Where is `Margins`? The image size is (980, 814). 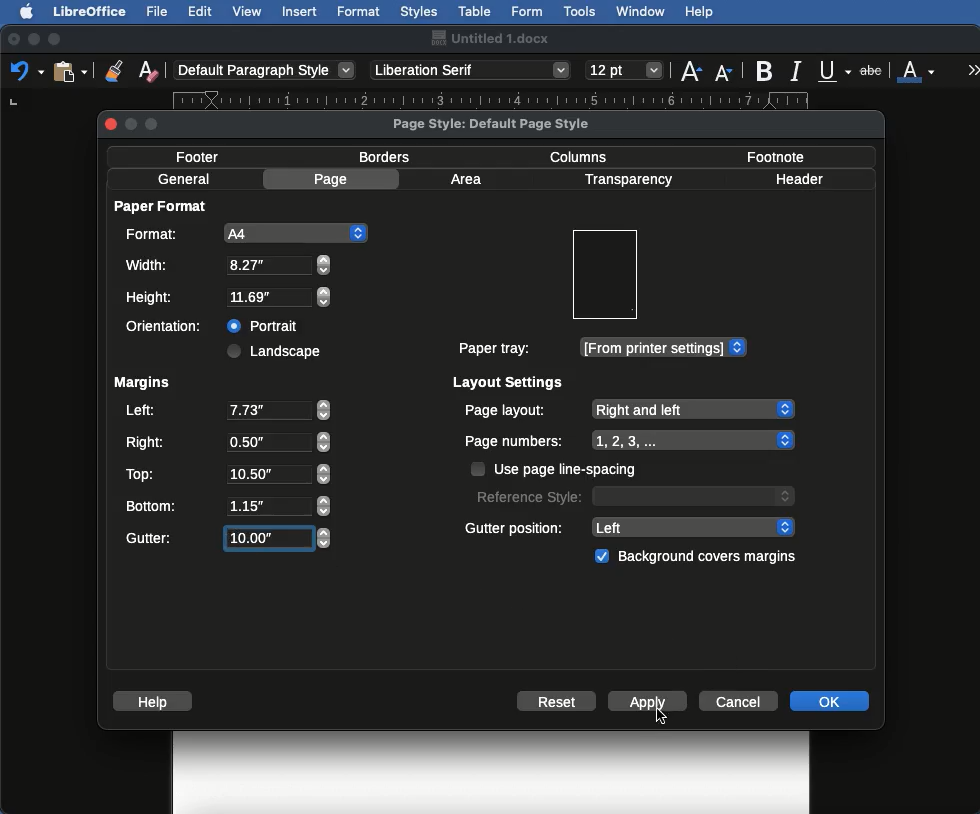 Margins is located at coordinates (141, 383).